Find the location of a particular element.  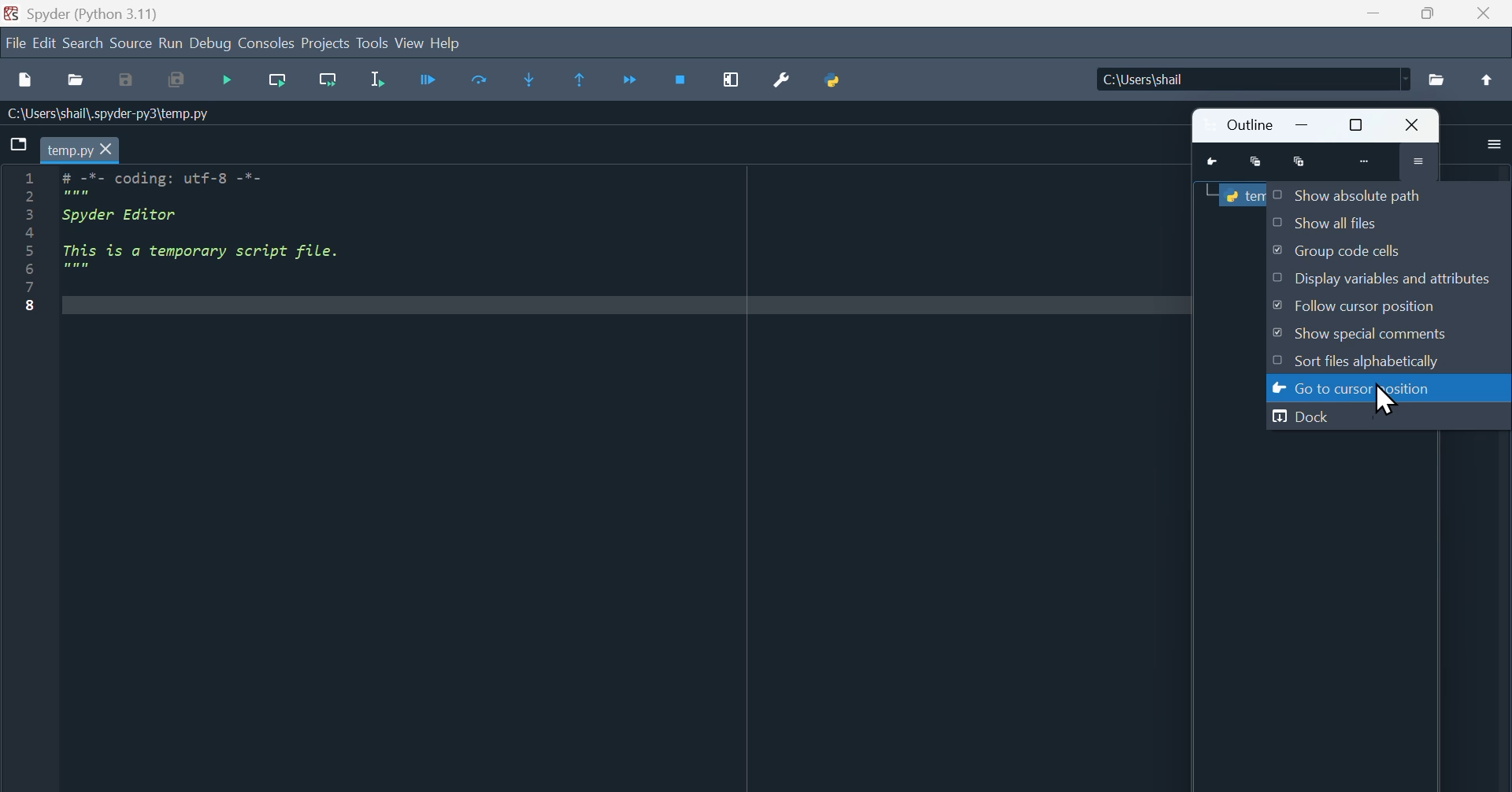

Follow cursor position is located at coordinates (1364, 305).